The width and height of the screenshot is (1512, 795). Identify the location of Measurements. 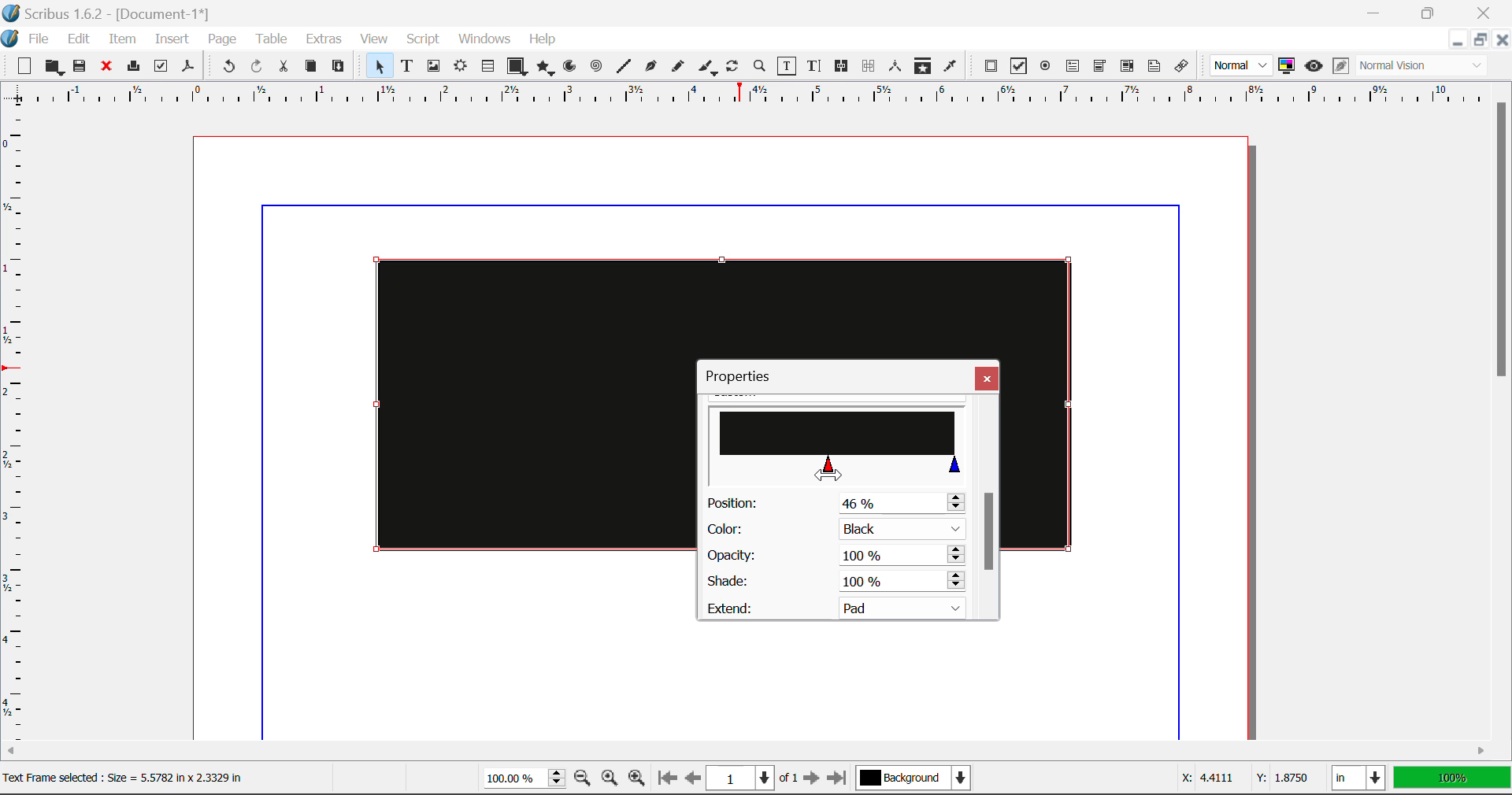
(896, 66).